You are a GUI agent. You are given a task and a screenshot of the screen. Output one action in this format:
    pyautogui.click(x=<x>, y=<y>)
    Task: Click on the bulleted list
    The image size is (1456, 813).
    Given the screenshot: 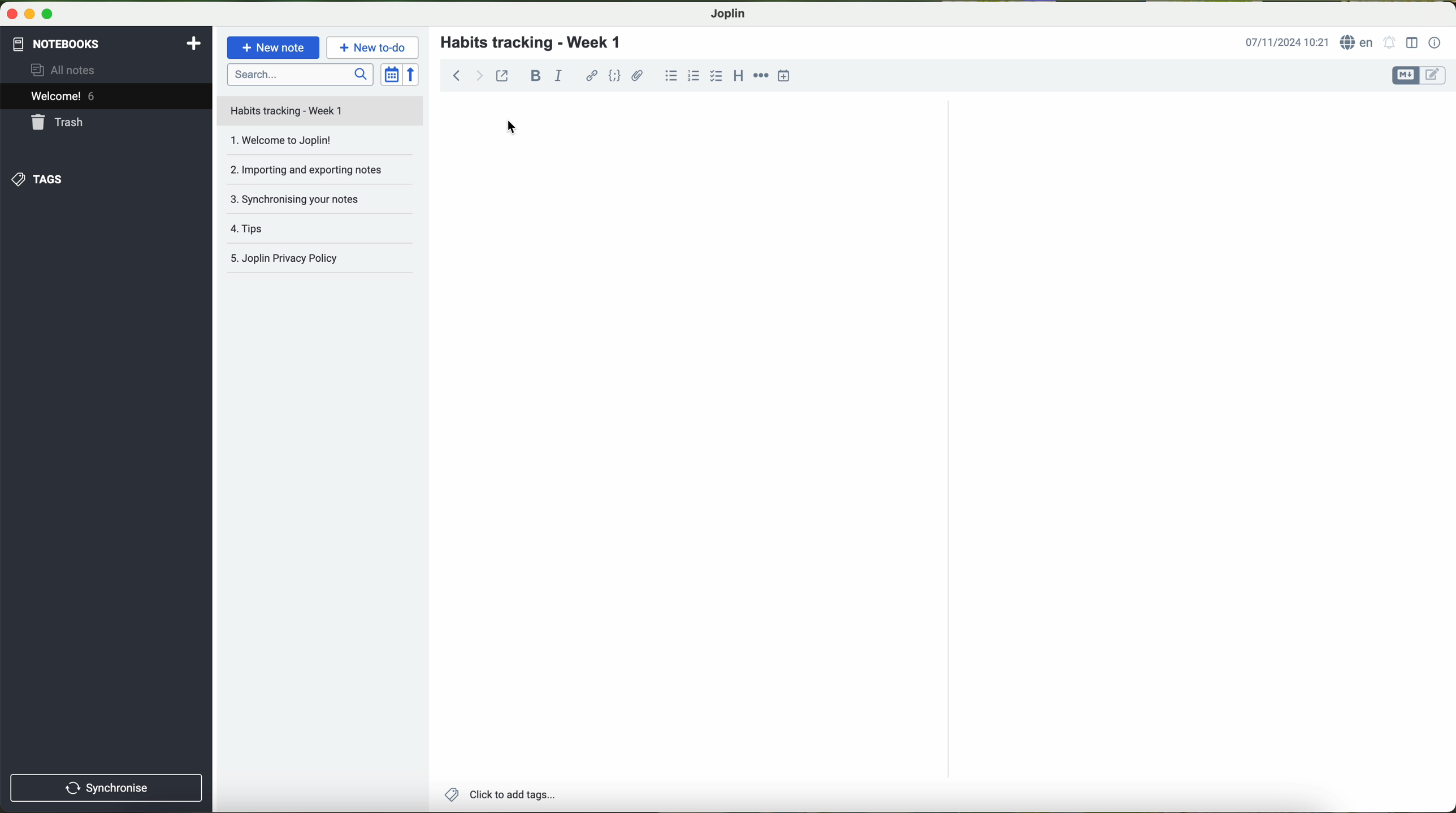 What is the action you would take?
    pyautogui.click(x=671, y=75)
    